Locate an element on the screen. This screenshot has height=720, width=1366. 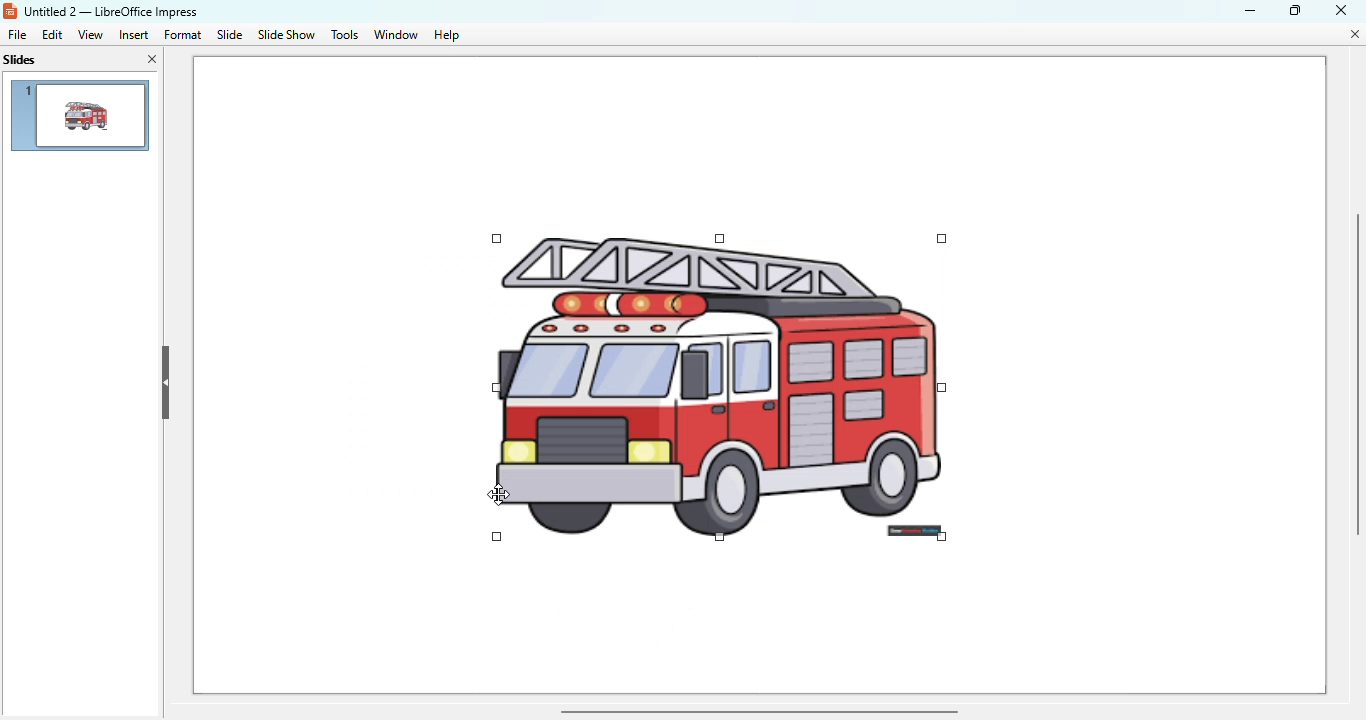
corner handles is located at coordinates (941, 238).